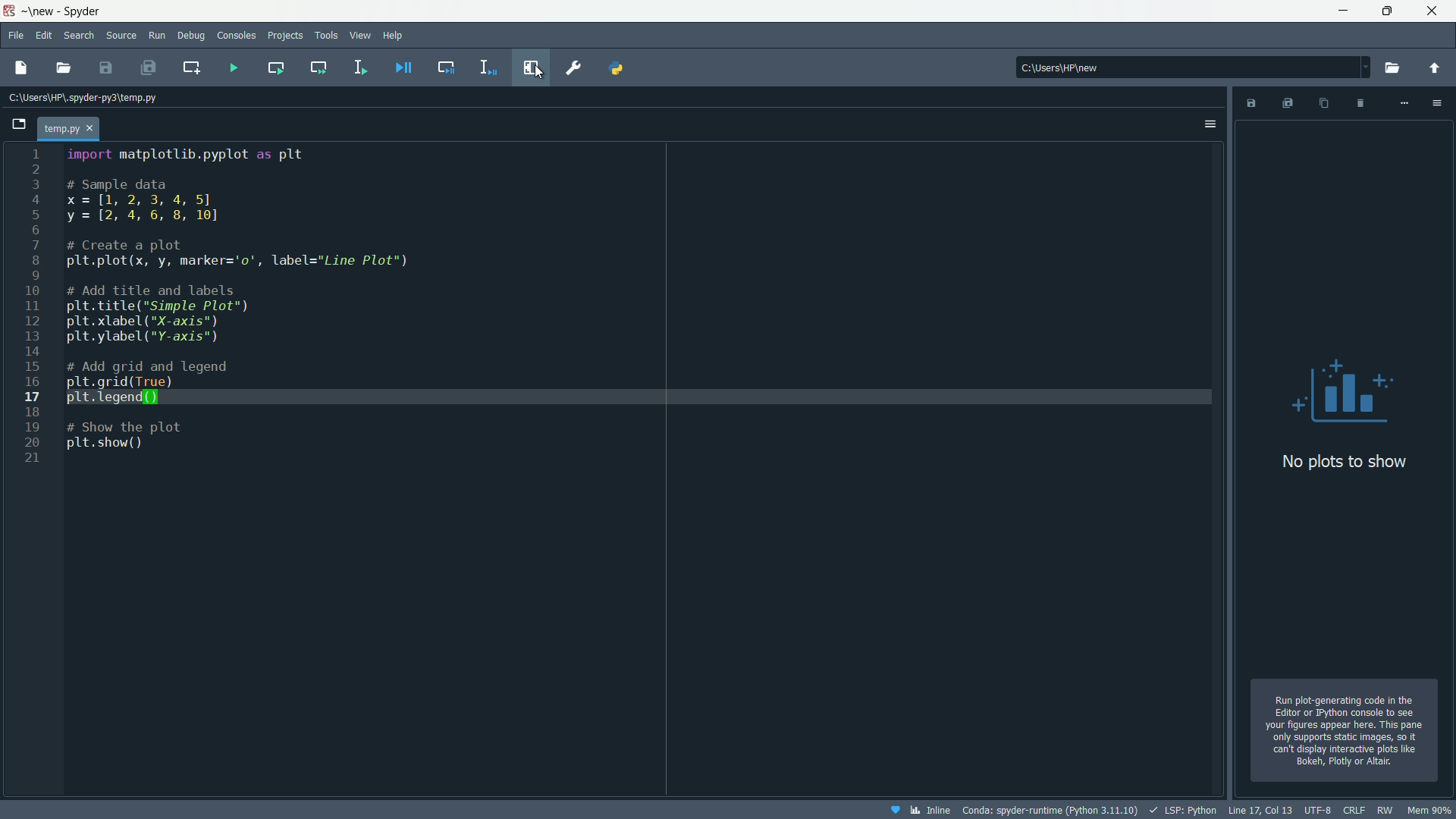 The image size is (1456, 819). Describe the element at coordinates (286, 36) in the screenshot. I see `projects` at that location.